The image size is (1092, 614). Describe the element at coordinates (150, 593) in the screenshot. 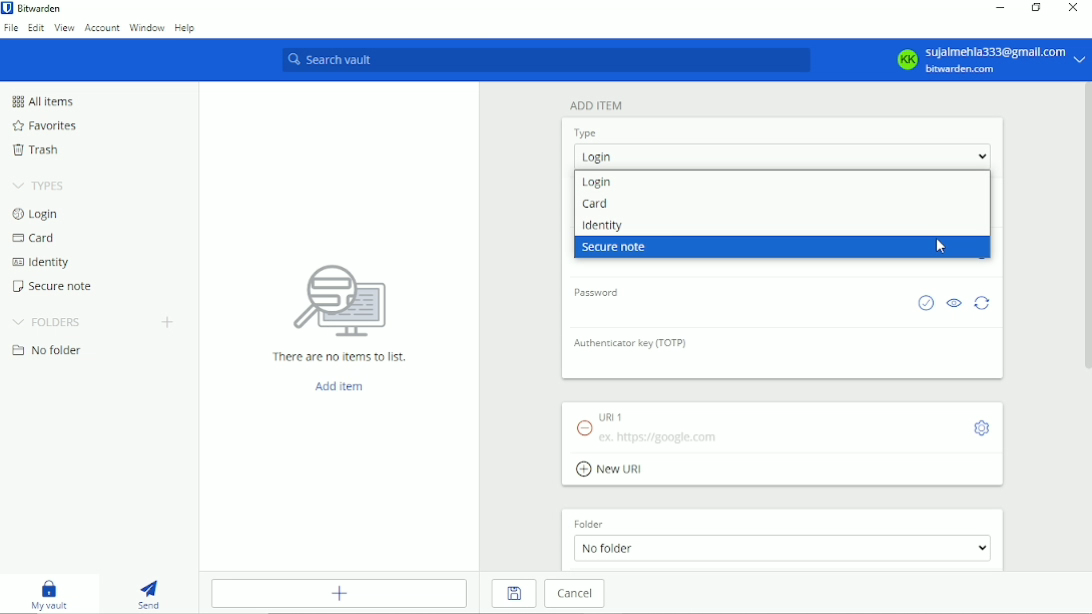

I see `Send` at that location.